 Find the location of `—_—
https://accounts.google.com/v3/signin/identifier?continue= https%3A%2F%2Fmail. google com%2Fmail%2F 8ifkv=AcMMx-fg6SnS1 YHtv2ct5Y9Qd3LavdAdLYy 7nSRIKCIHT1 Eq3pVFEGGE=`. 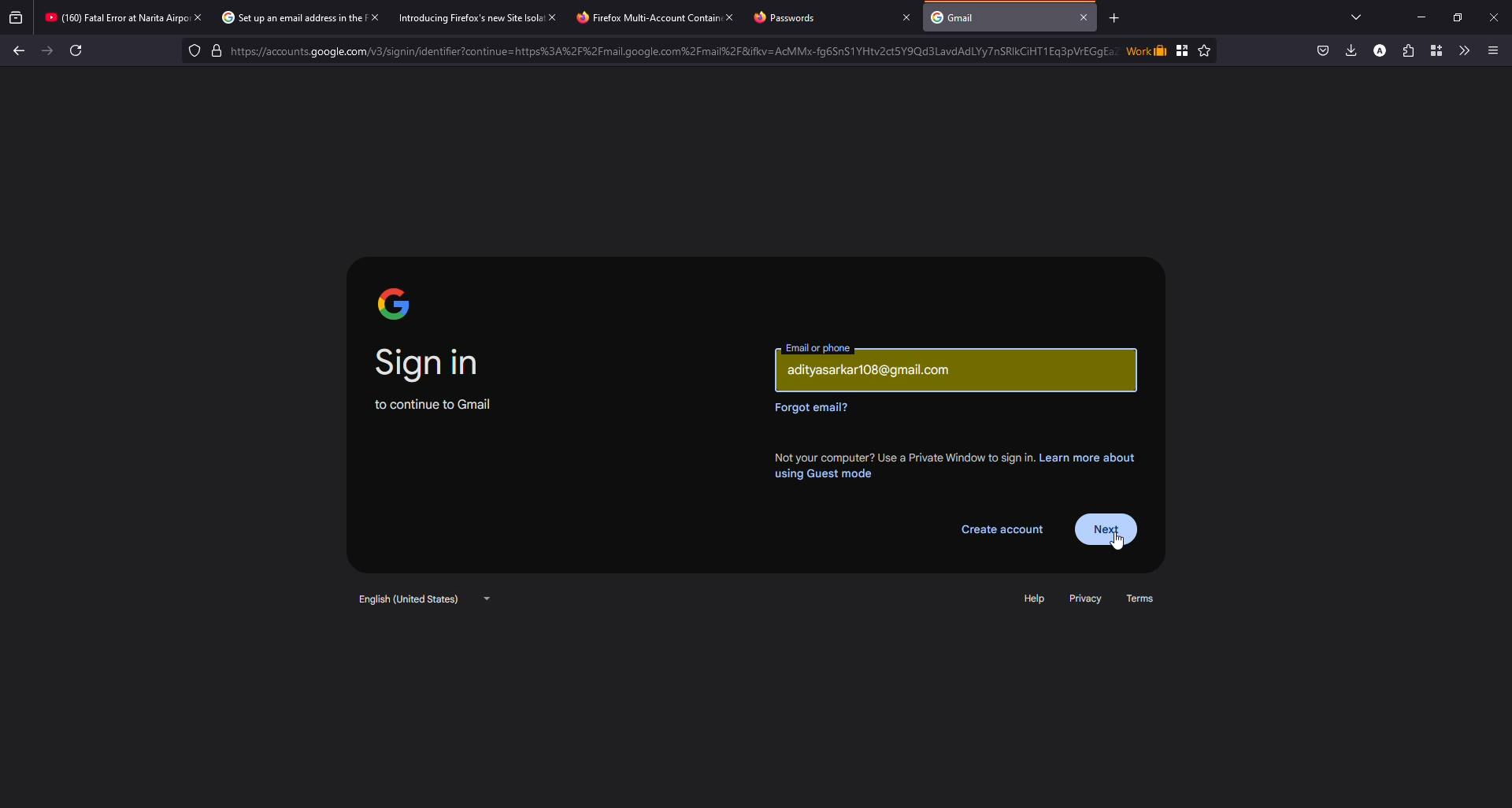

—_—
https://accounts.google.com/v3/signin/identifier?continue= https%3A%2F%2Fmail. google com%2Fmail%2F 8ifkv=AcMMx-fg6SnS1 YHtv2ct5Y9Qd3LavdAdLYy 7nSRIKCIHT1 Eq3pVFEGGE= is located at coordinates (668, 50).